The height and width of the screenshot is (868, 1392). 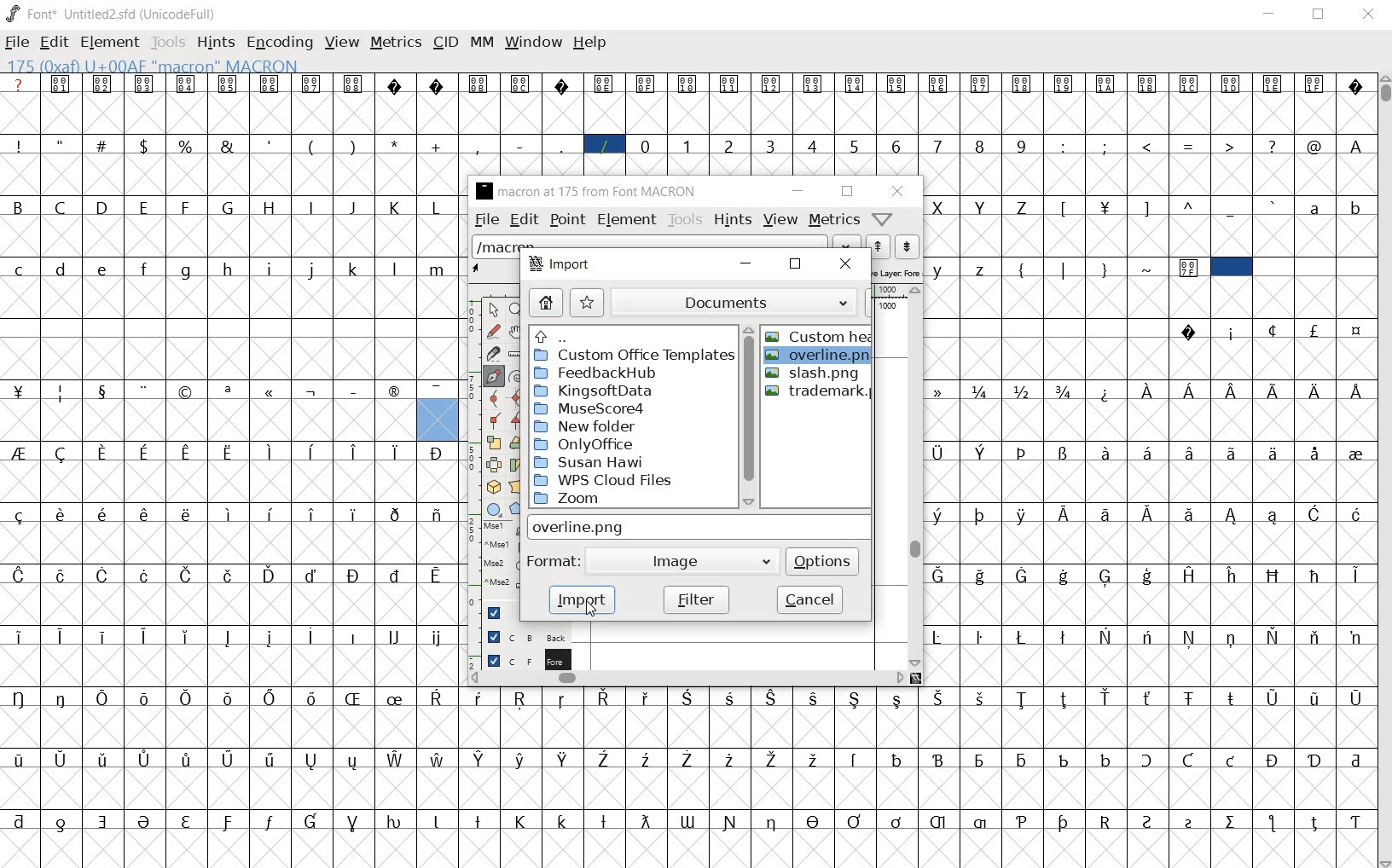 What do you see at coordinates (1024, 269) in the screenshot?
I see `{` at bounding box center [1024, 269].